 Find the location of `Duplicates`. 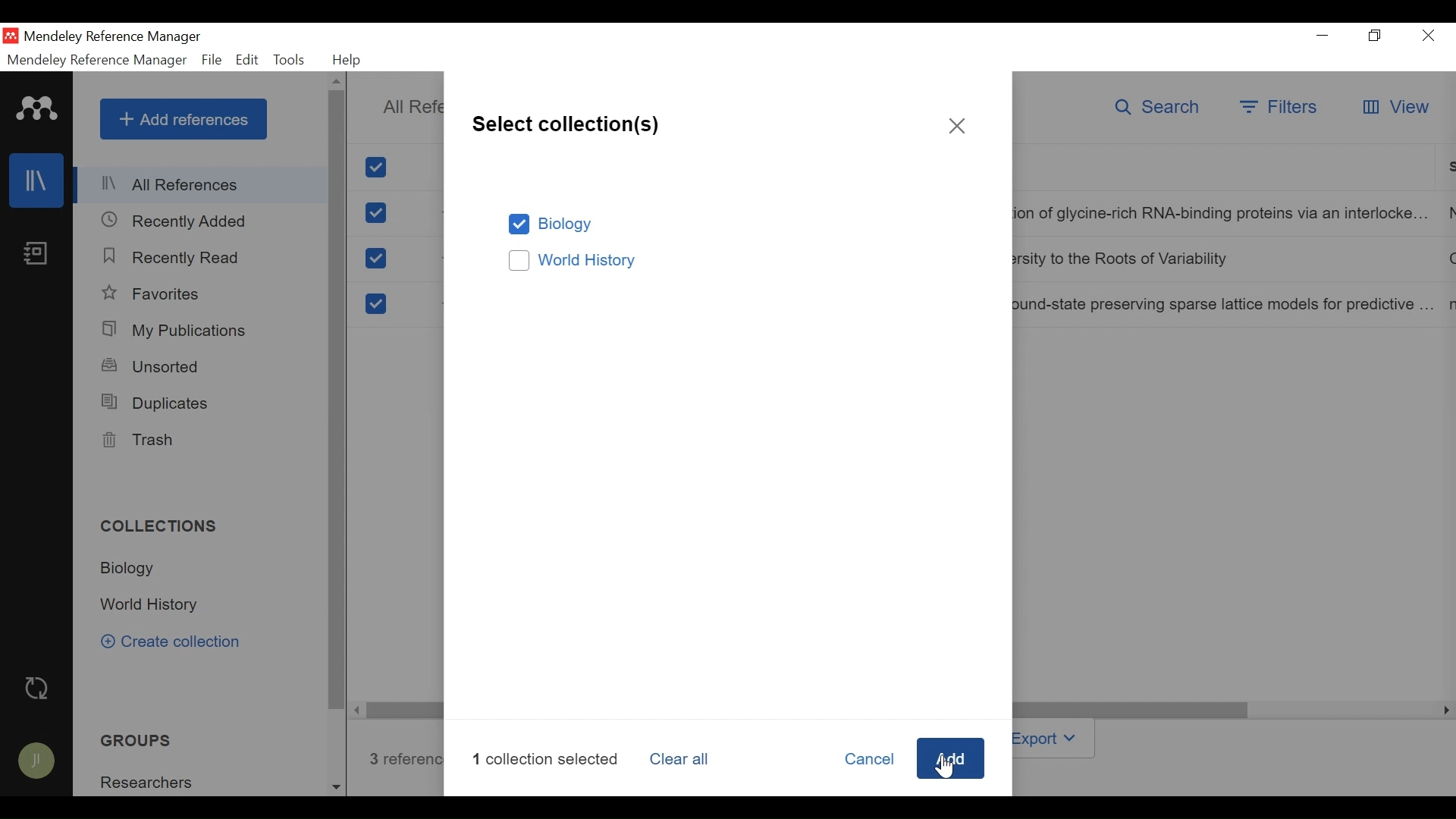

Duplicates is located at coordinates (156, 403).